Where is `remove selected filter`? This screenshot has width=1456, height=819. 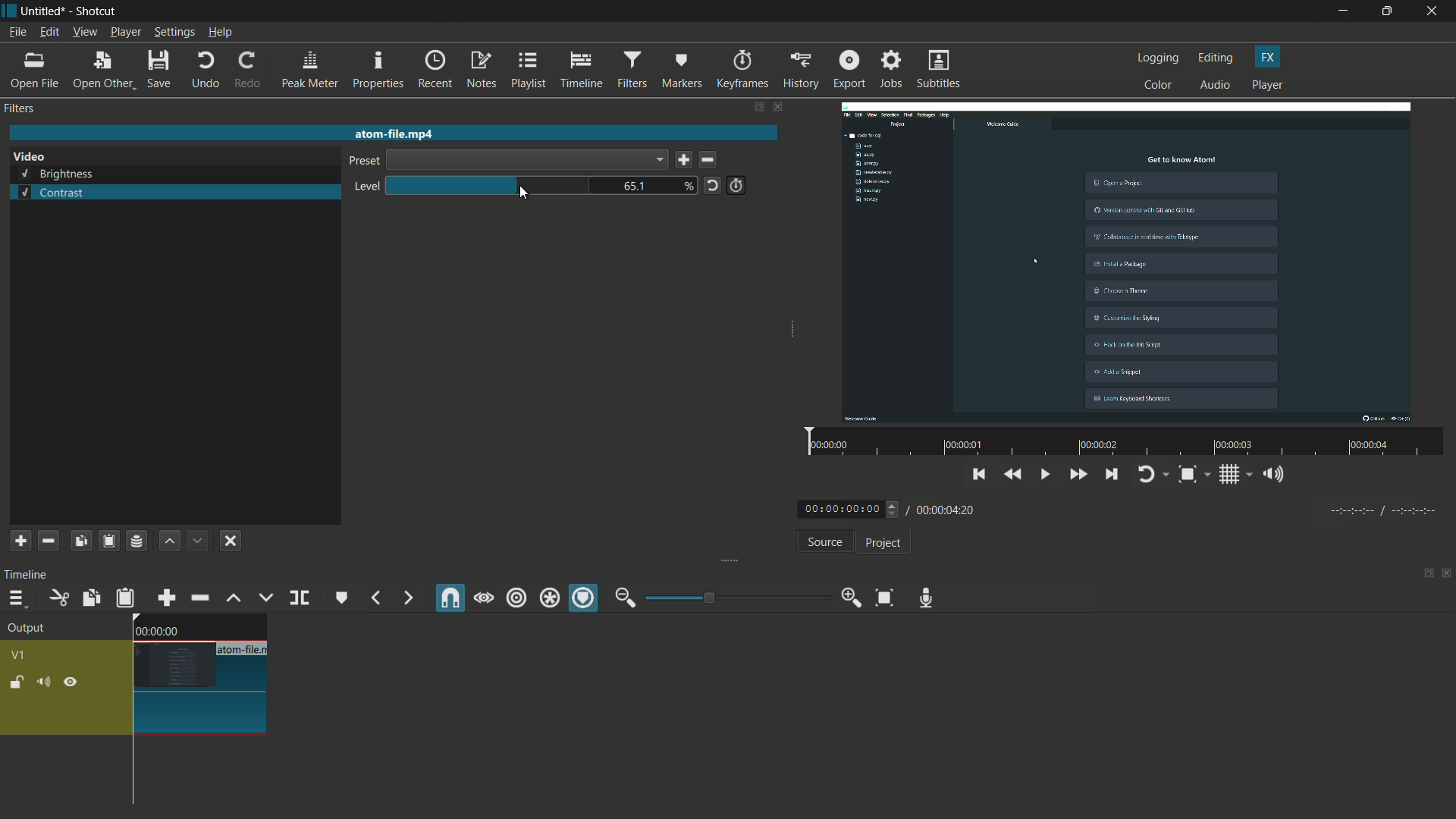
remove selected filter is located at coordinates (49, 541).